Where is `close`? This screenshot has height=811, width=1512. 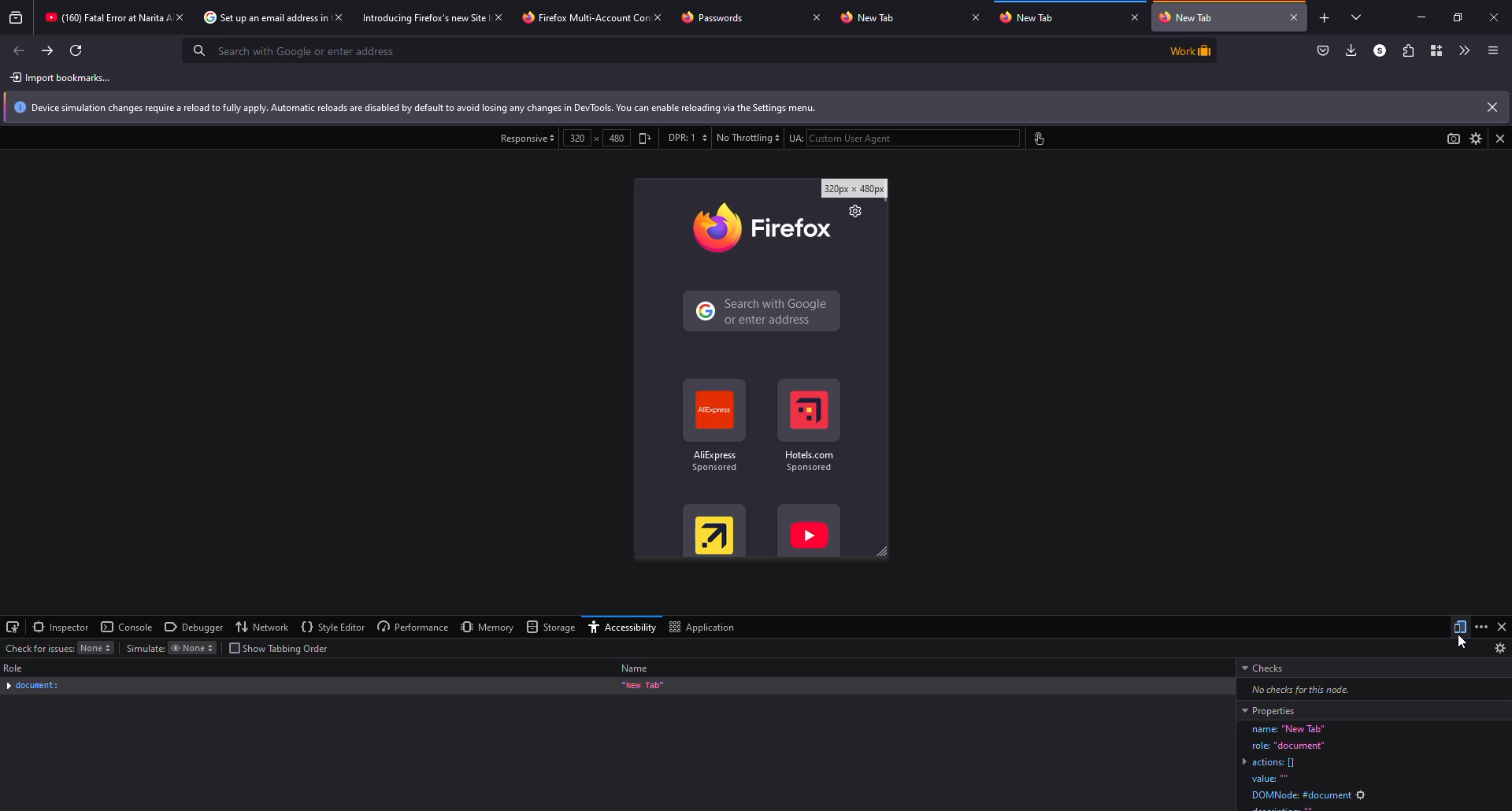
close is located at coordinates (817, 17).